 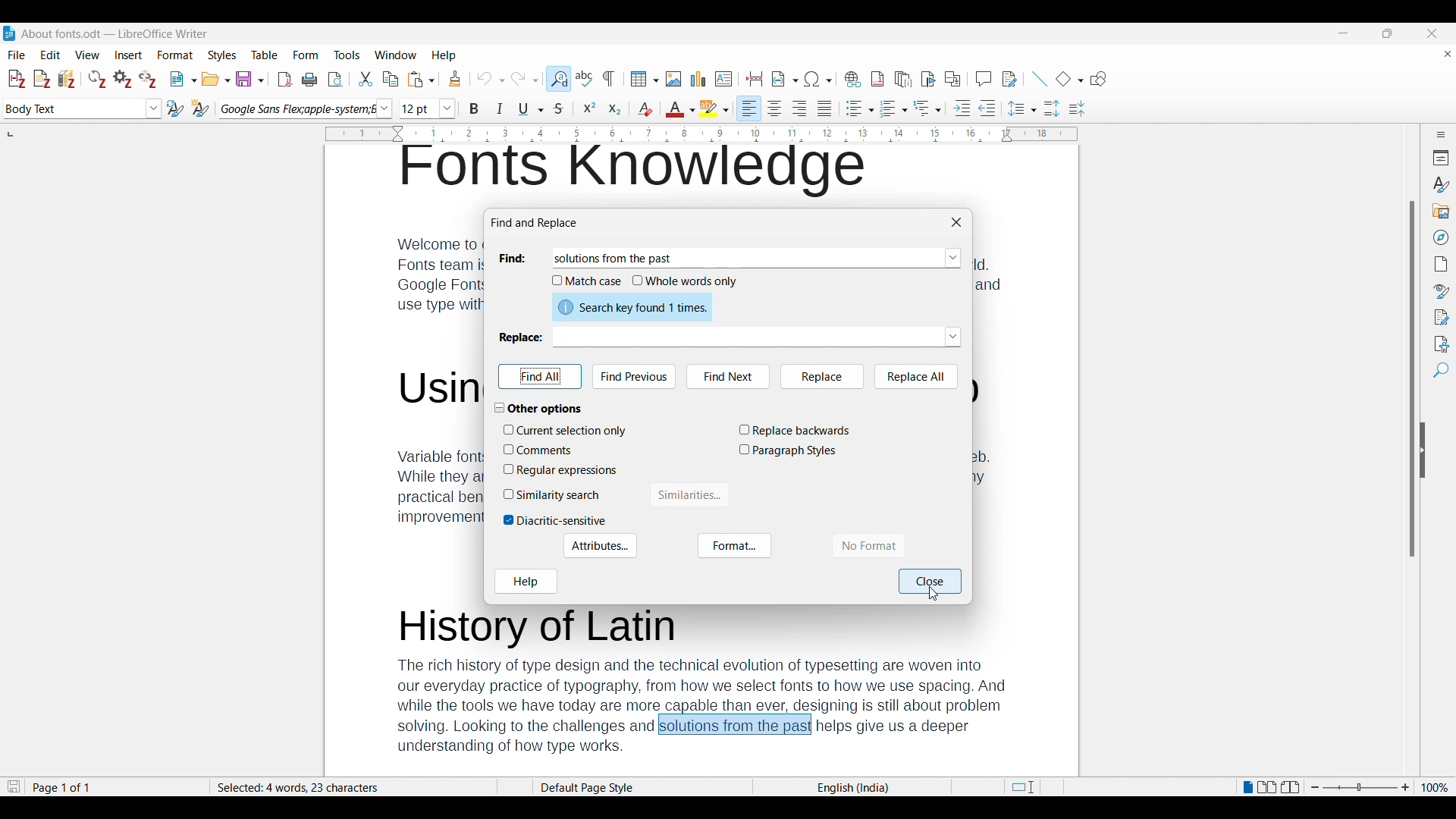 What do you see at coordinates (584, 78) in the screenshot?
I see `Check spelling` at bounding box center [584, 78].